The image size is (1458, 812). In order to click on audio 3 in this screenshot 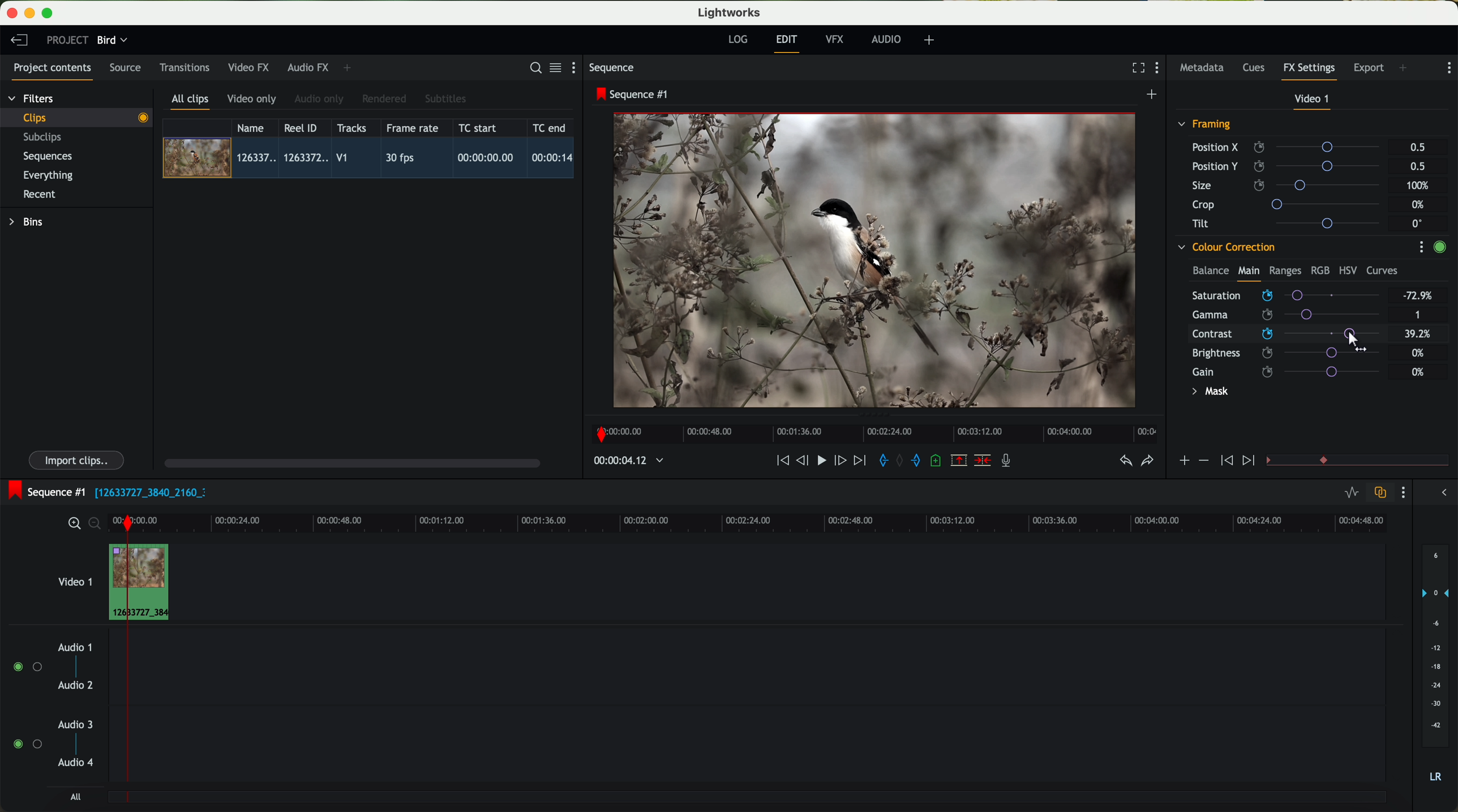, I will do `click(70, 724)`.